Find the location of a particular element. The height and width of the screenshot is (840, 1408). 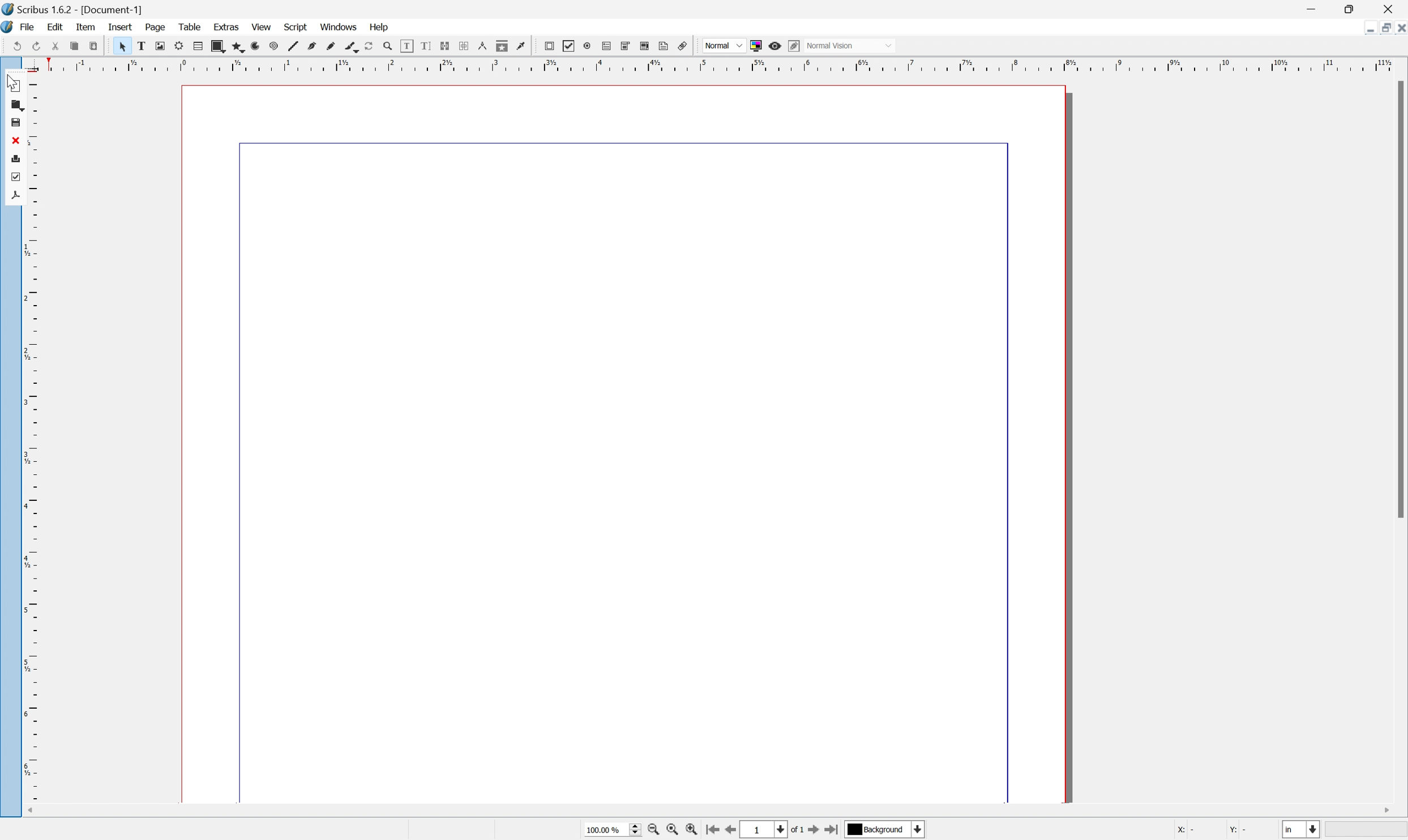

redo is located at coordinates (181, 46).